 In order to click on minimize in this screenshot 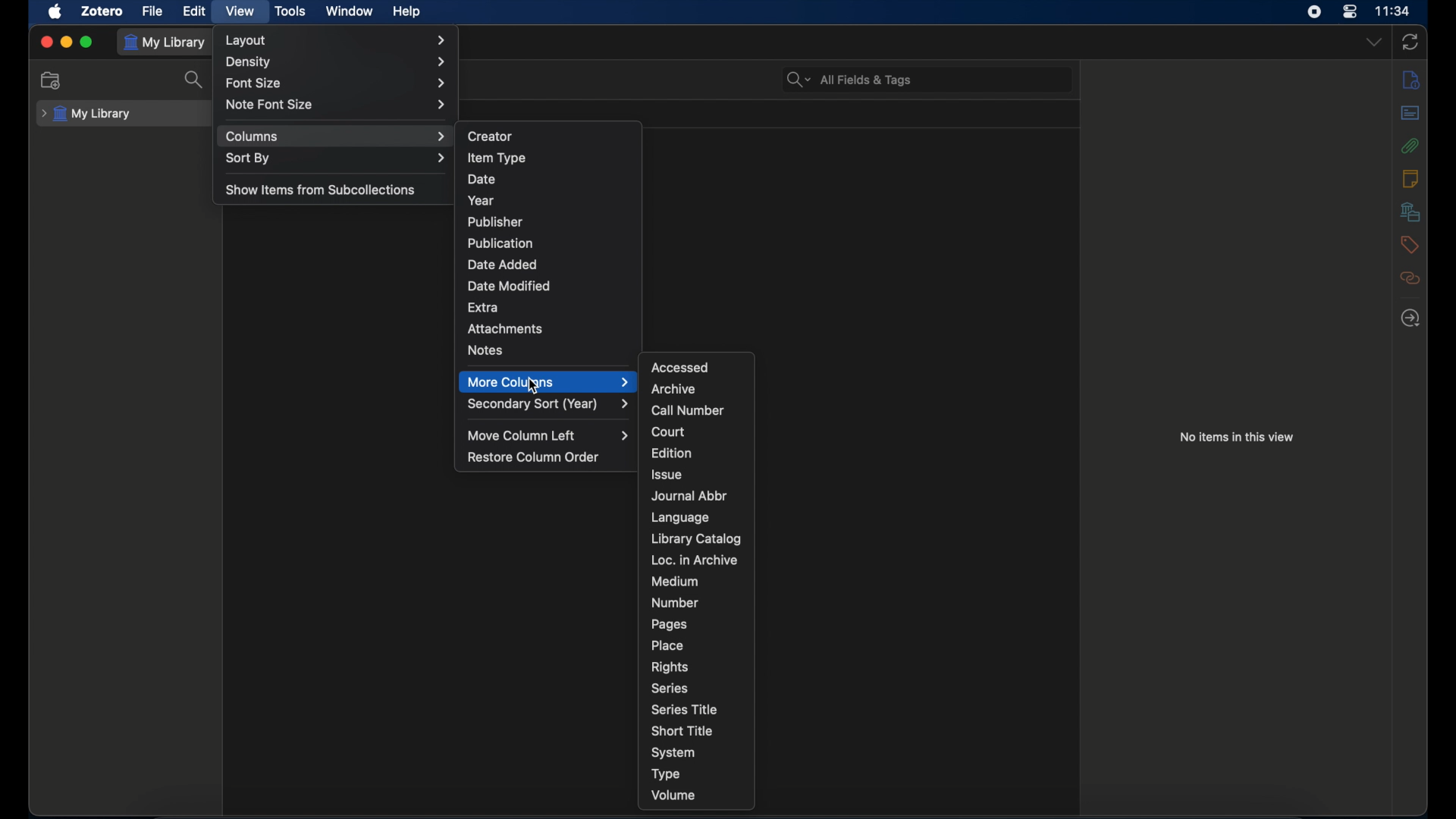, I will do `click(67, 43)`.